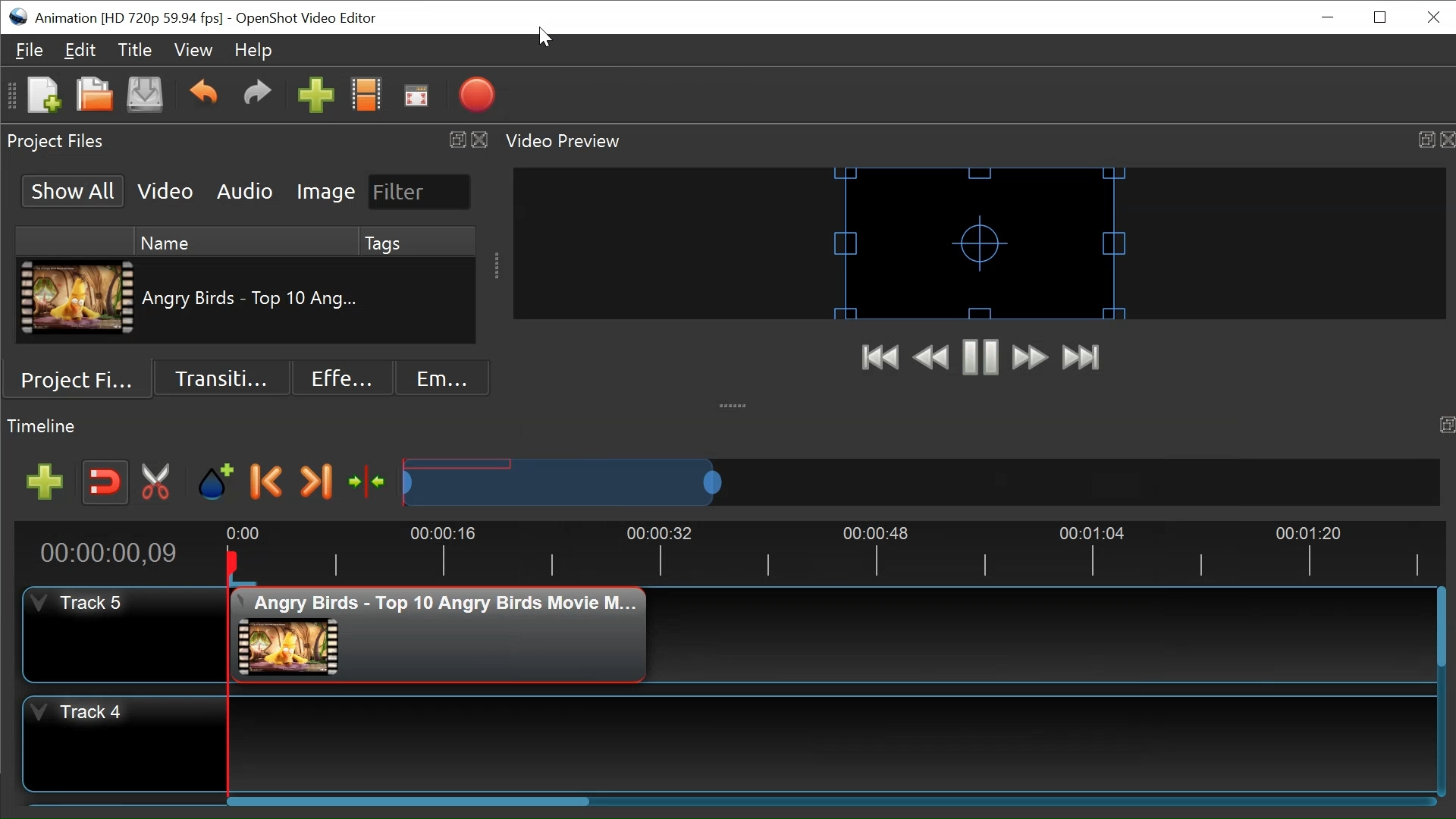 This screenshot has width=1456, height=819. Describe the element at coordinates (1326, 17) in the screenshot. I see `minimize` at that location.